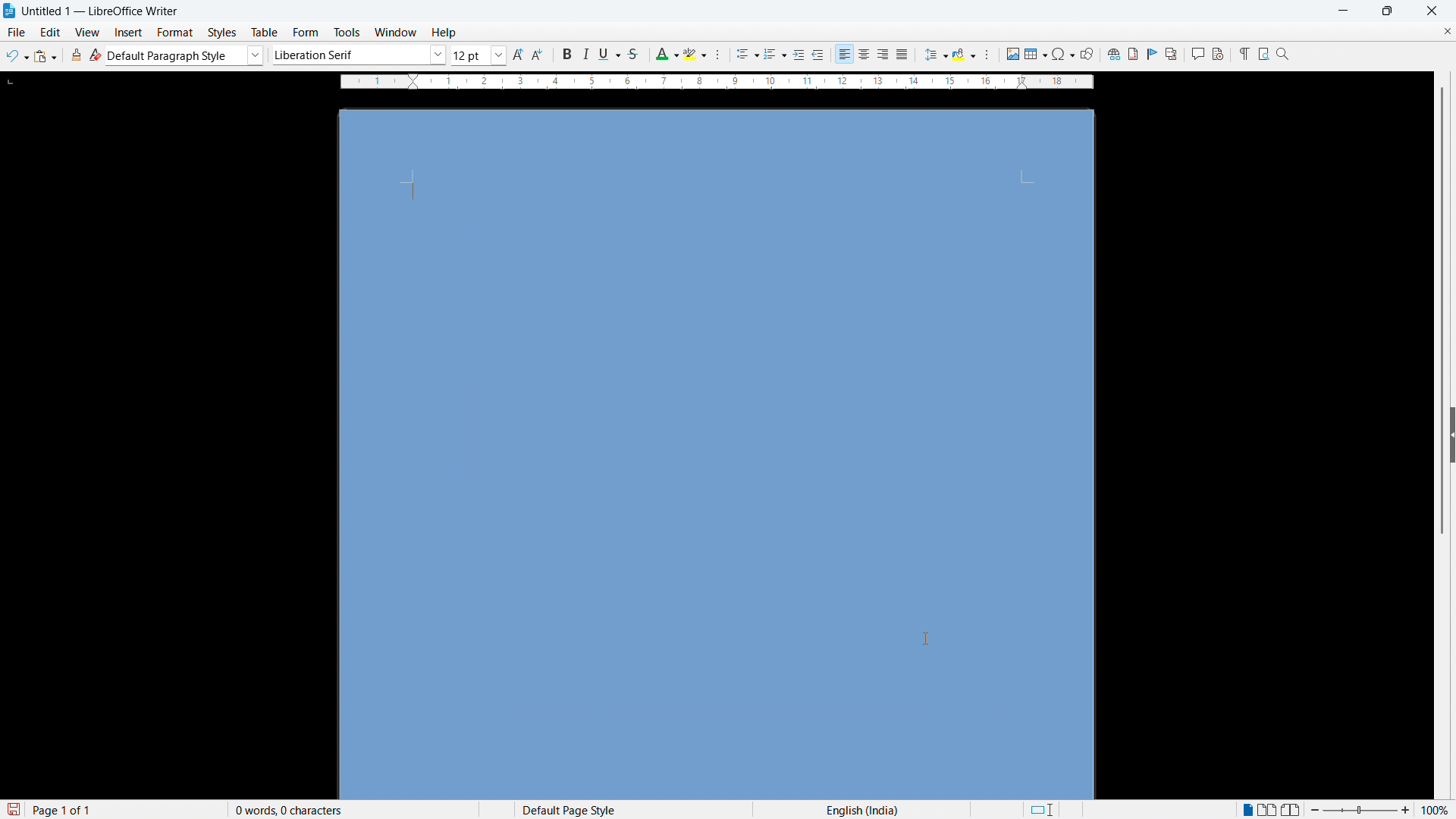  What do you see at coordinates (722, 55) in the screenshot?
I see `Character ` at bounding box center [722, 55].